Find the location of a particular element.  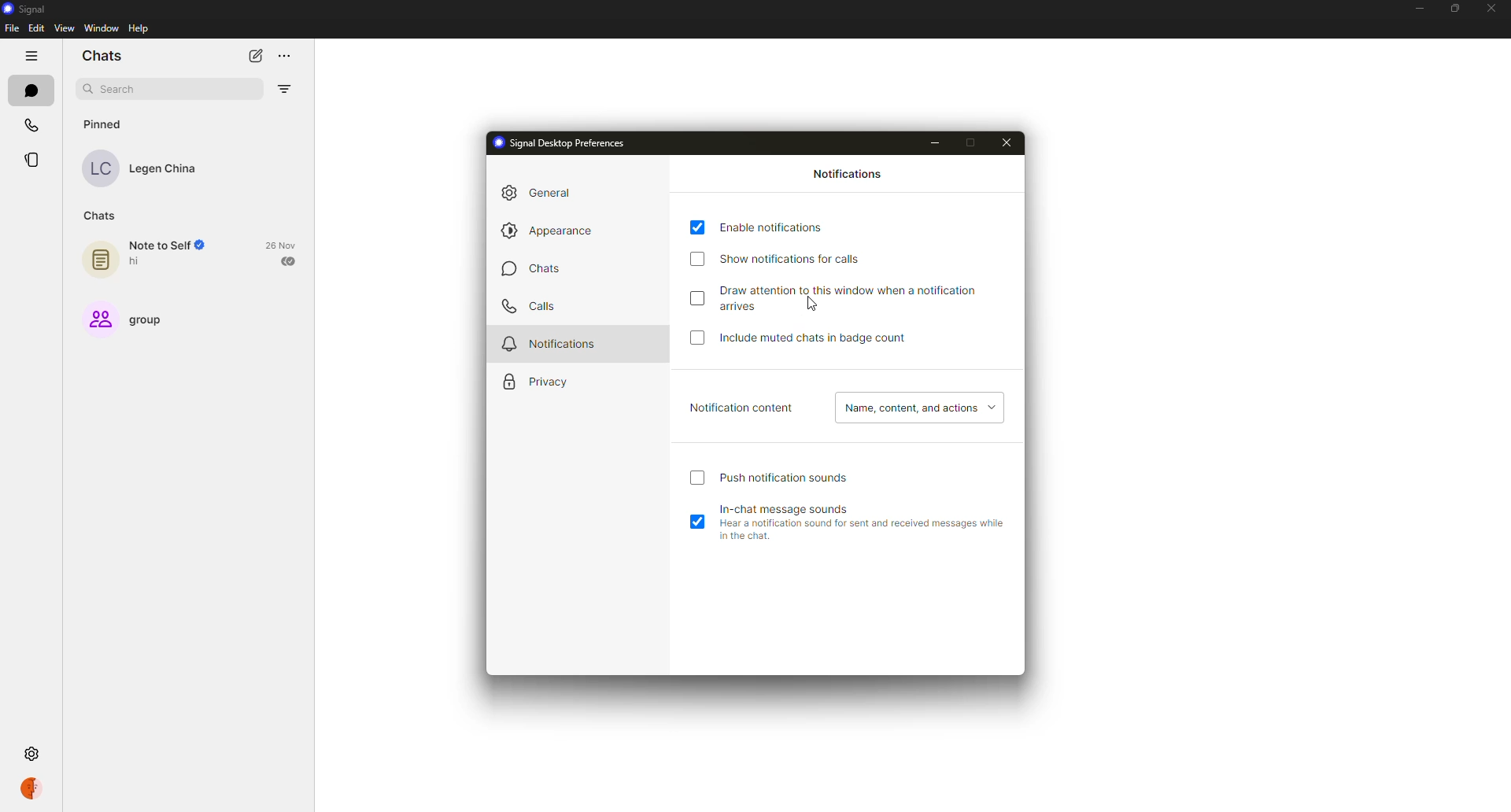

maximize is located at coordinates (1452, 9).